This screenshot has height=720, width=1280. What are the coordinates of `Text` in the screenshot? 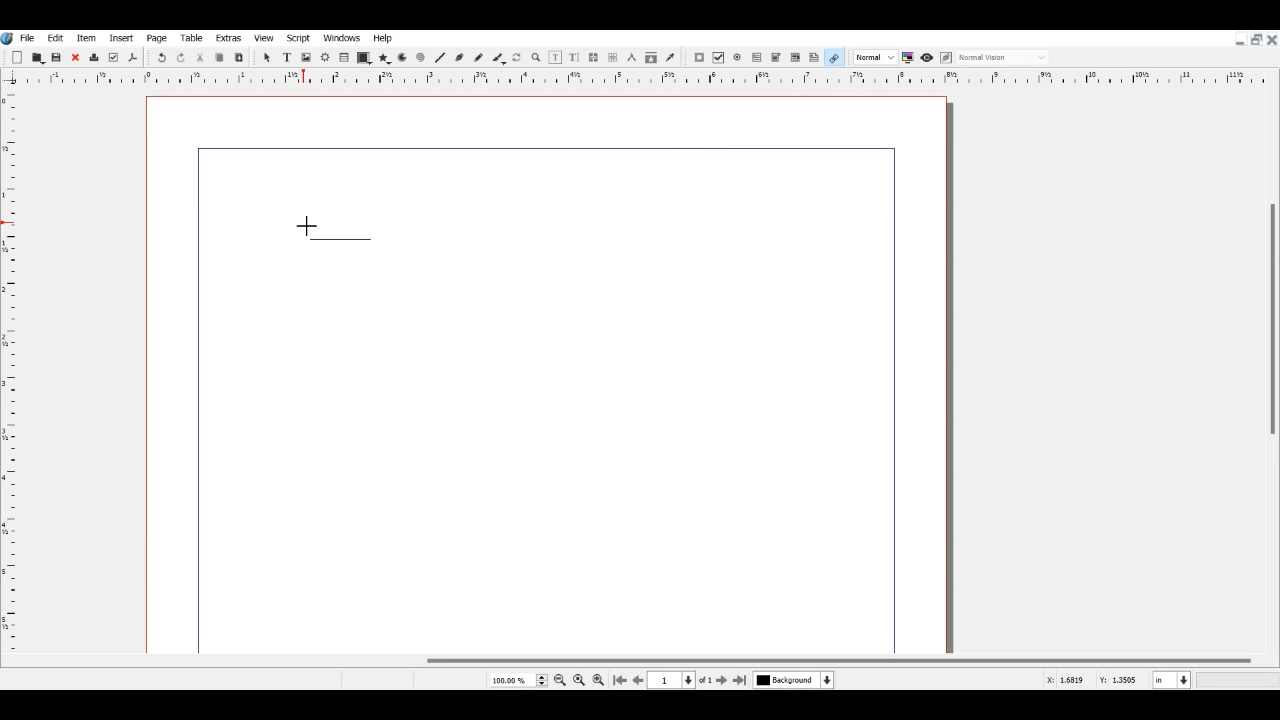 It's located at (331, 229).